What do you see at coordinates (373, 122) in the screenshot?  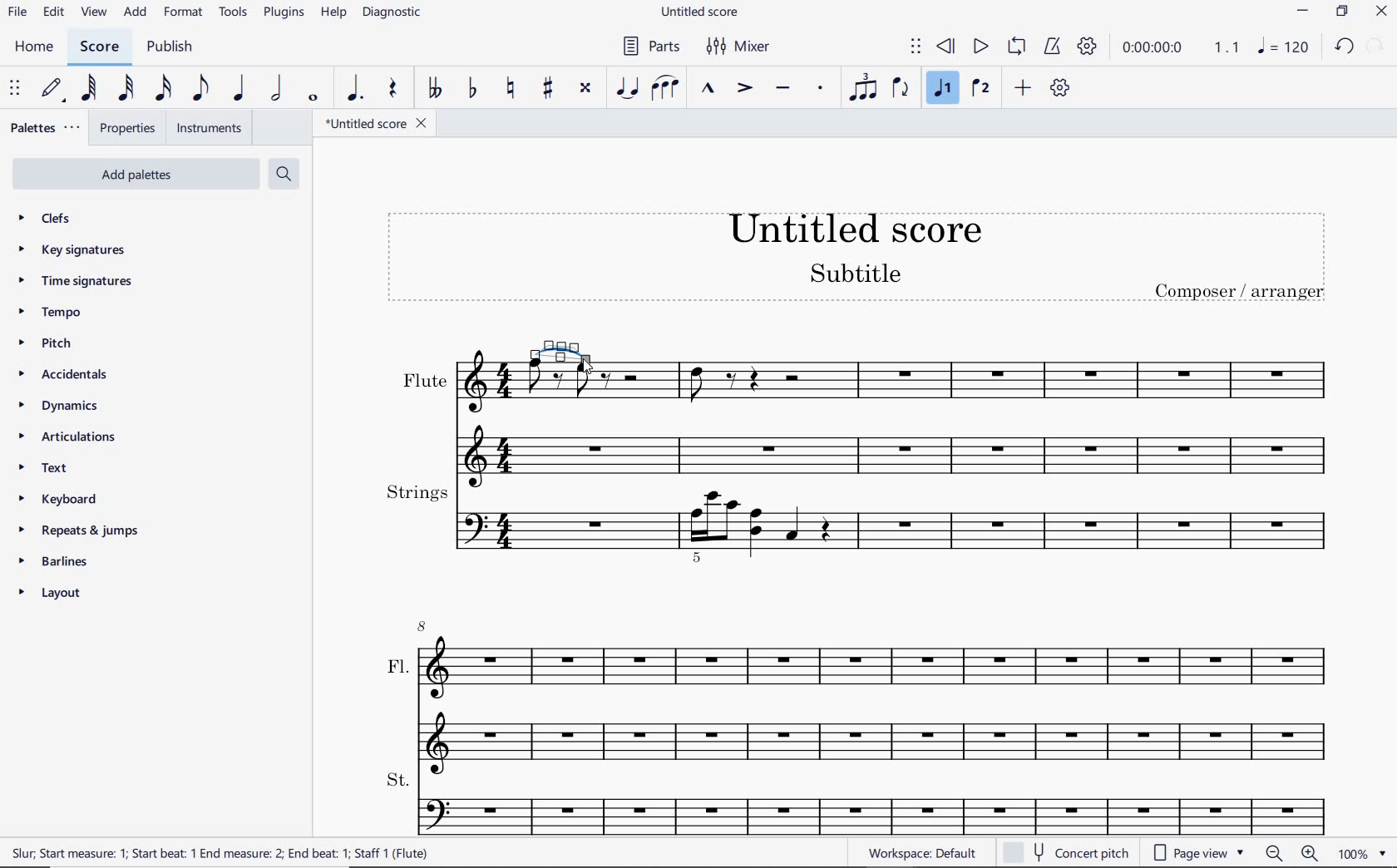 I see `FILE NAME` at bounding box center [373, 122].